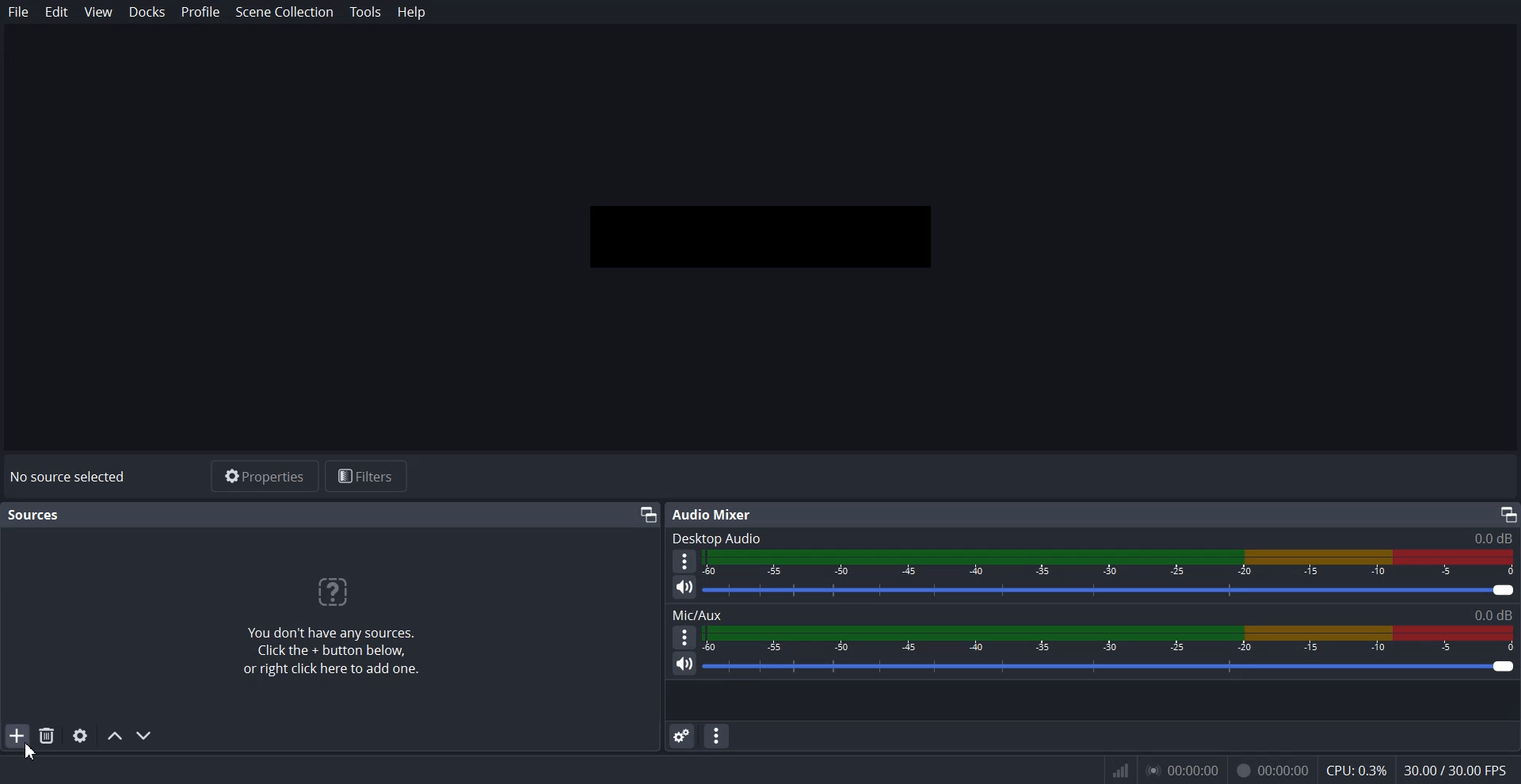 This screenshot has width=1521, height=784. I want to click on 0.00, so click(1180, 771).